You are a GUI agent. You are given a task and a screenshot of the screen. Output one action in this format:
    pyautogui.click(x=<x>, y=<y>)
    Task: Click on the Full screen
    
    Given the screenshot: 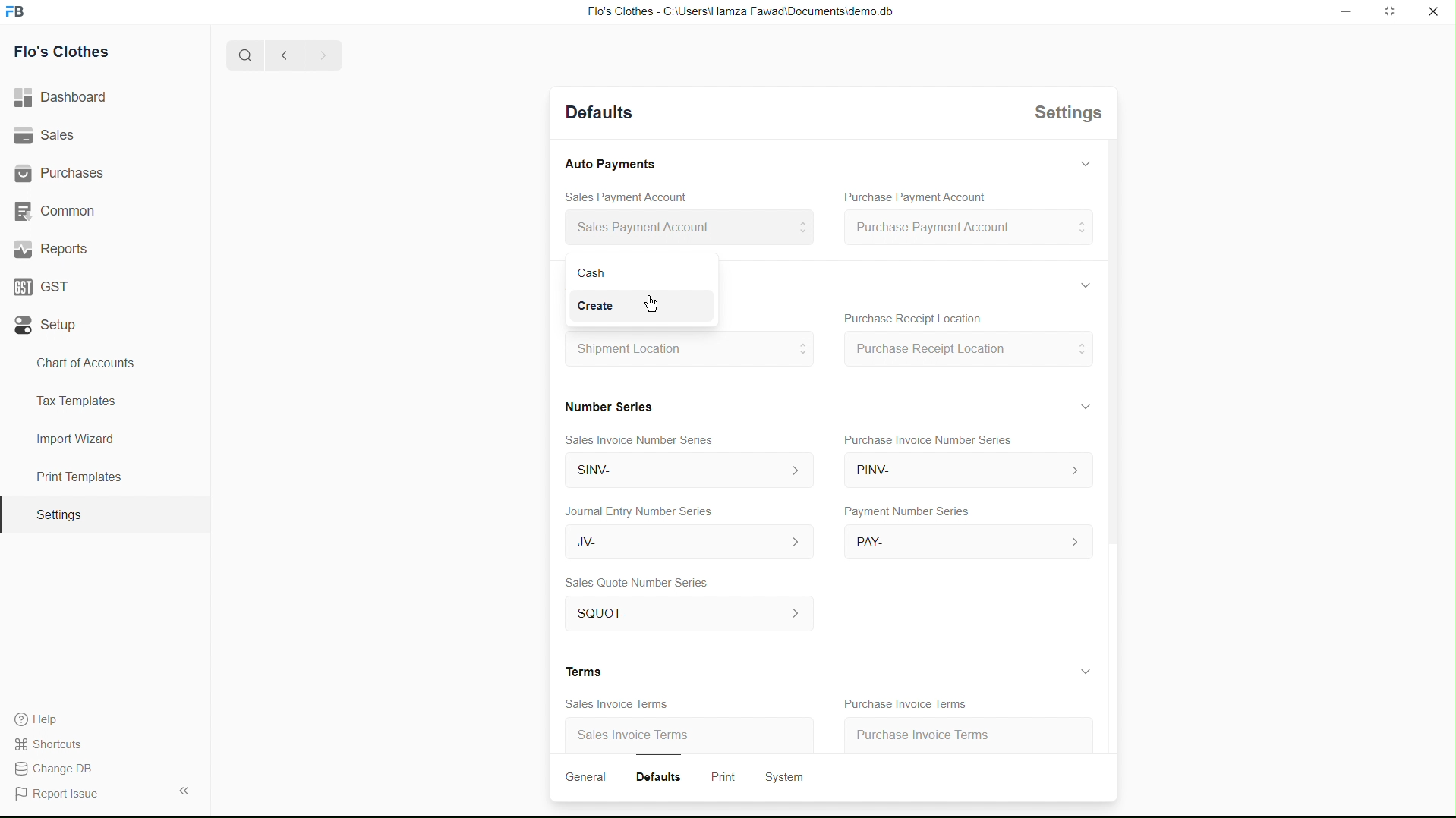 What is the action you would take?
    pyautogui.click(x=1391, y=13)
    